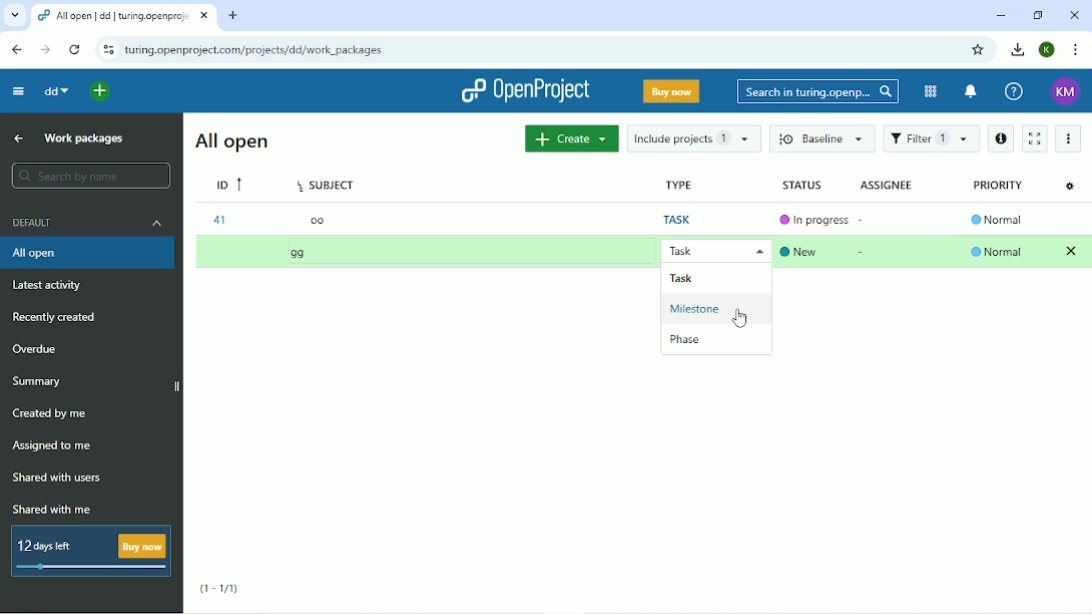  Describe the element at coordinates (255, 51) in the screenshot. I see `Site` at that location.